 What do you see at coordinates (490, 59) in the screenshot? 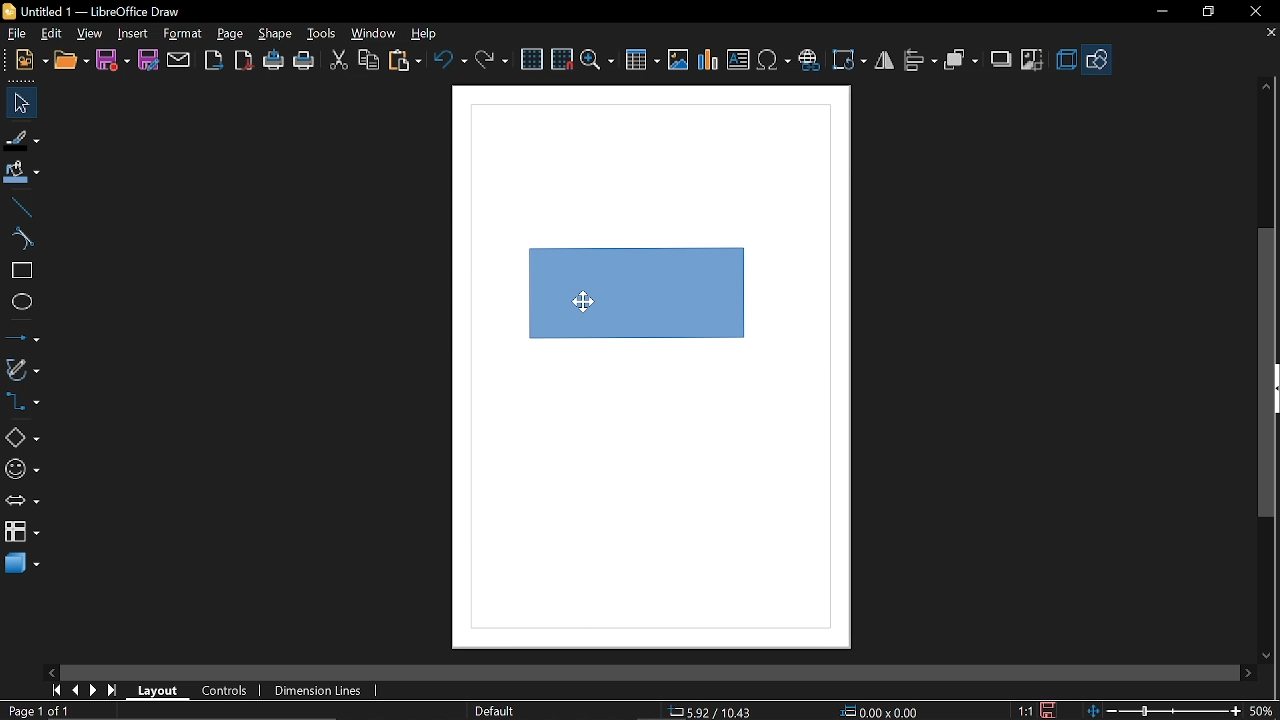
I see `Redo` at bounding box center [490, 59].